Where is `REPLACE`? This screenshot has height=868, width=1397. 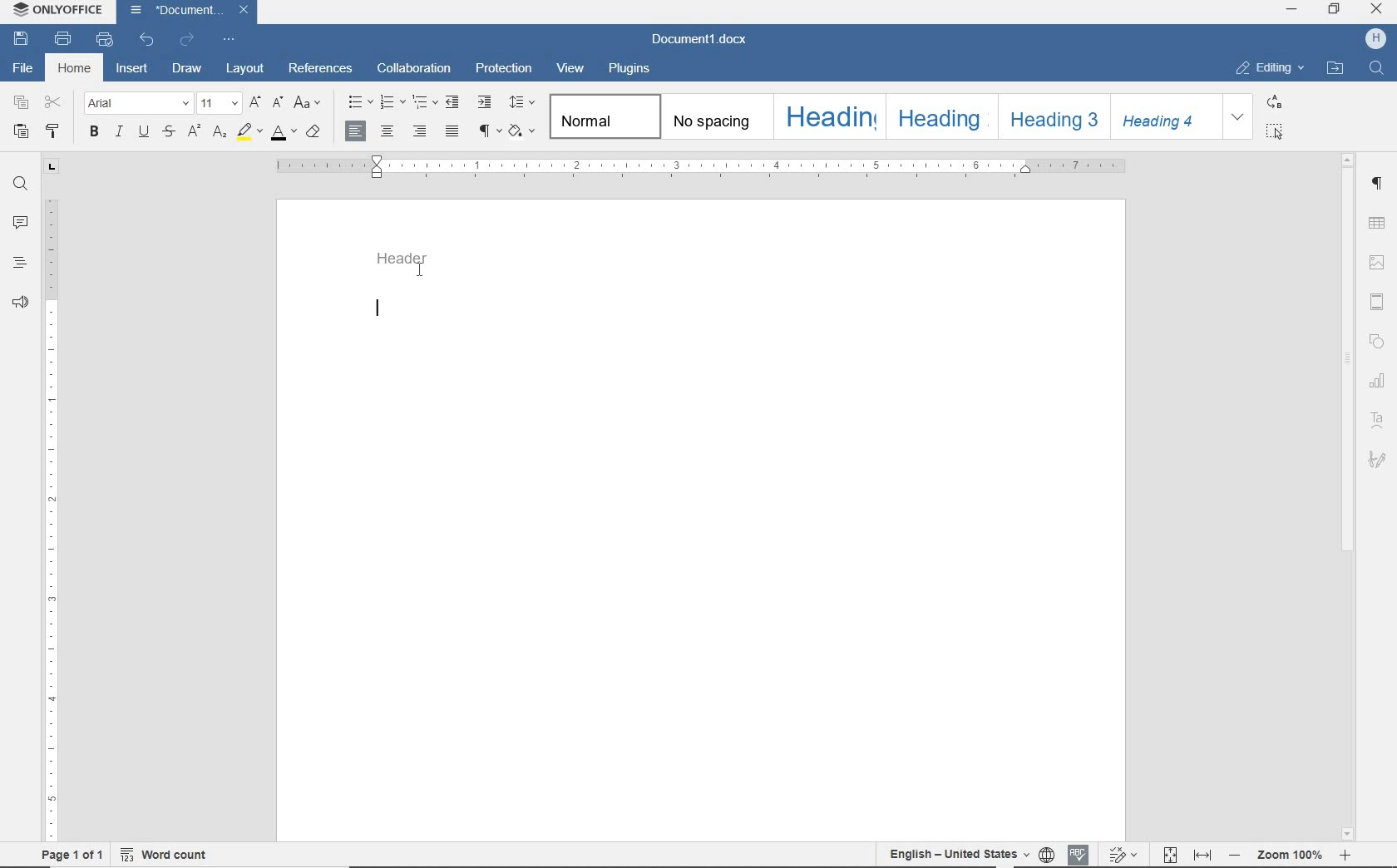 REPLACE is located at coordinates (1274, 104).